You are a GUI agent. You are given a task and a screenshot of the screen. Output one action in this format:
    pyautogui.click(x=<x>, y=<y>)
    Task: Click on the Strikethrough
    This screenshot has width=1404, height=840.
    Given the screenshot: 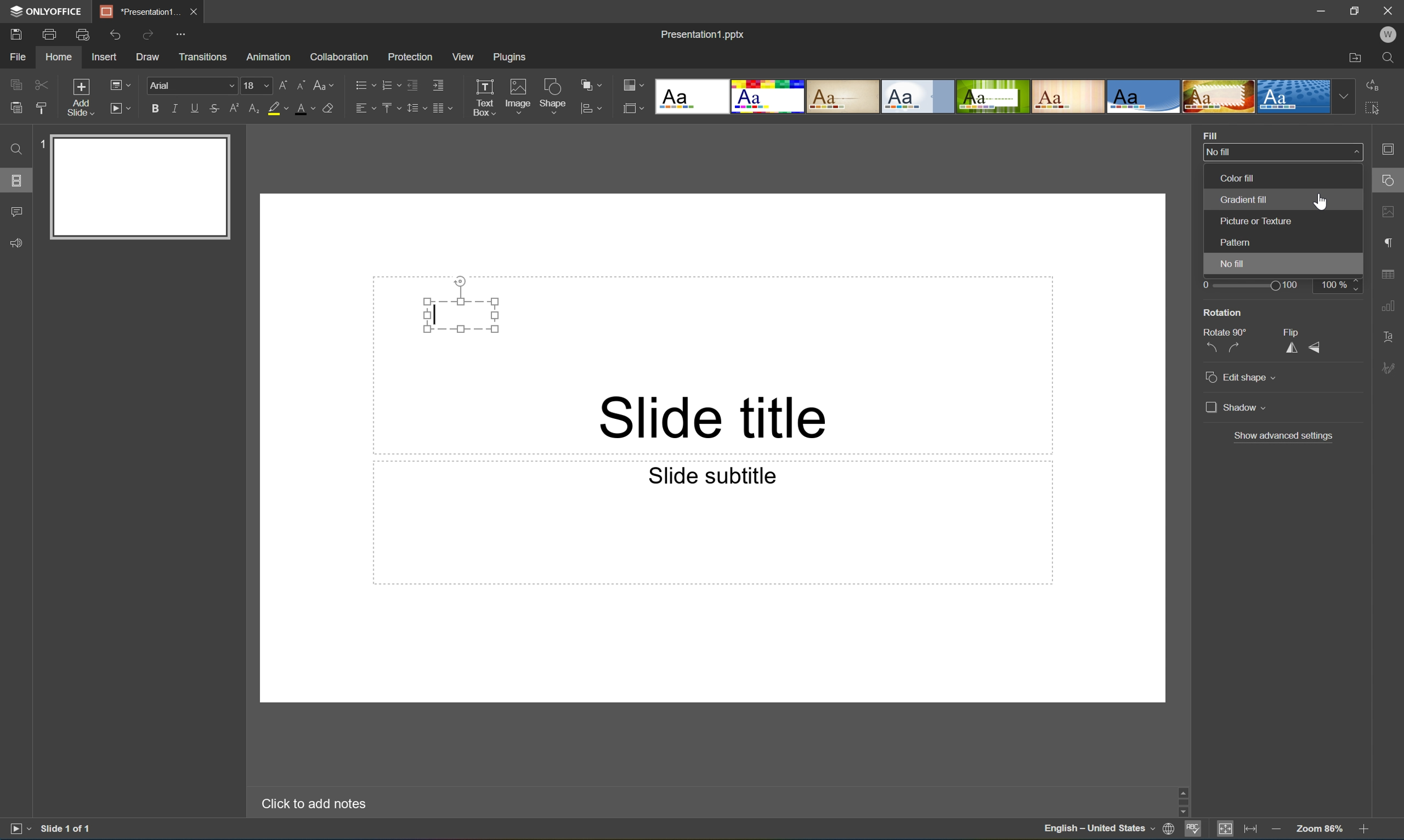 What is the action you would take?
    pyautogui.click(x=214, y=109)
    